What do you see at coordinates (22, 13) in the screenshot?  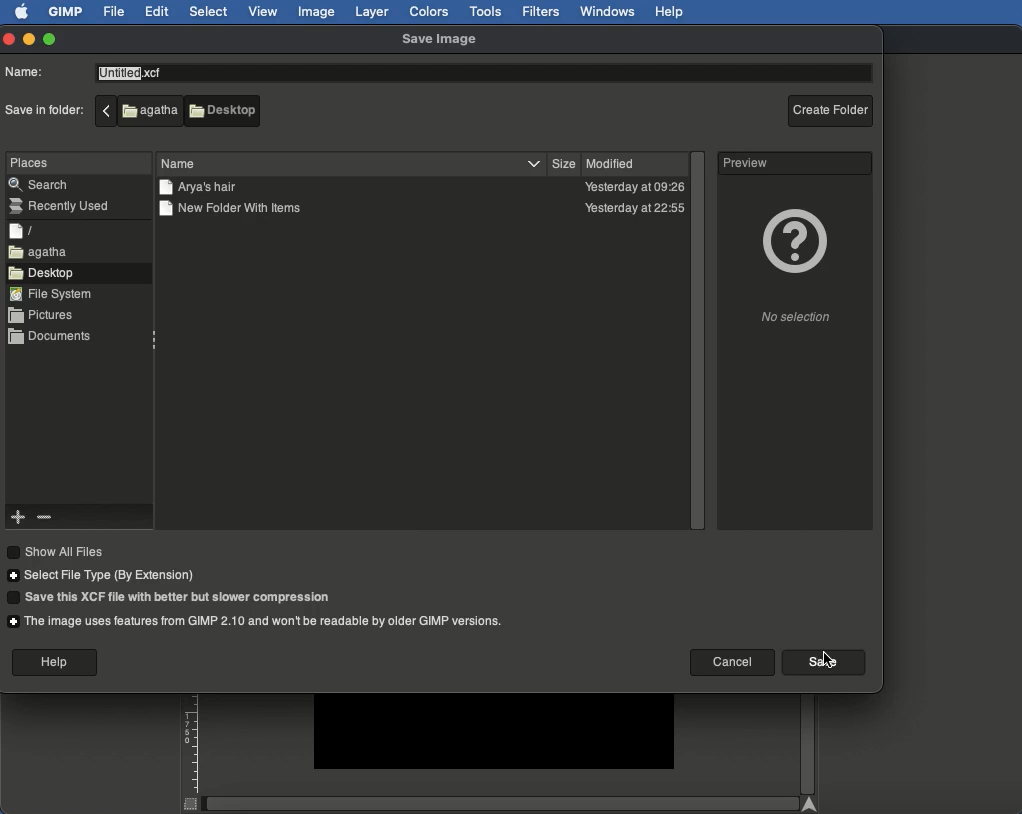 I see `Apple logo` at bounding box center [22, 13].